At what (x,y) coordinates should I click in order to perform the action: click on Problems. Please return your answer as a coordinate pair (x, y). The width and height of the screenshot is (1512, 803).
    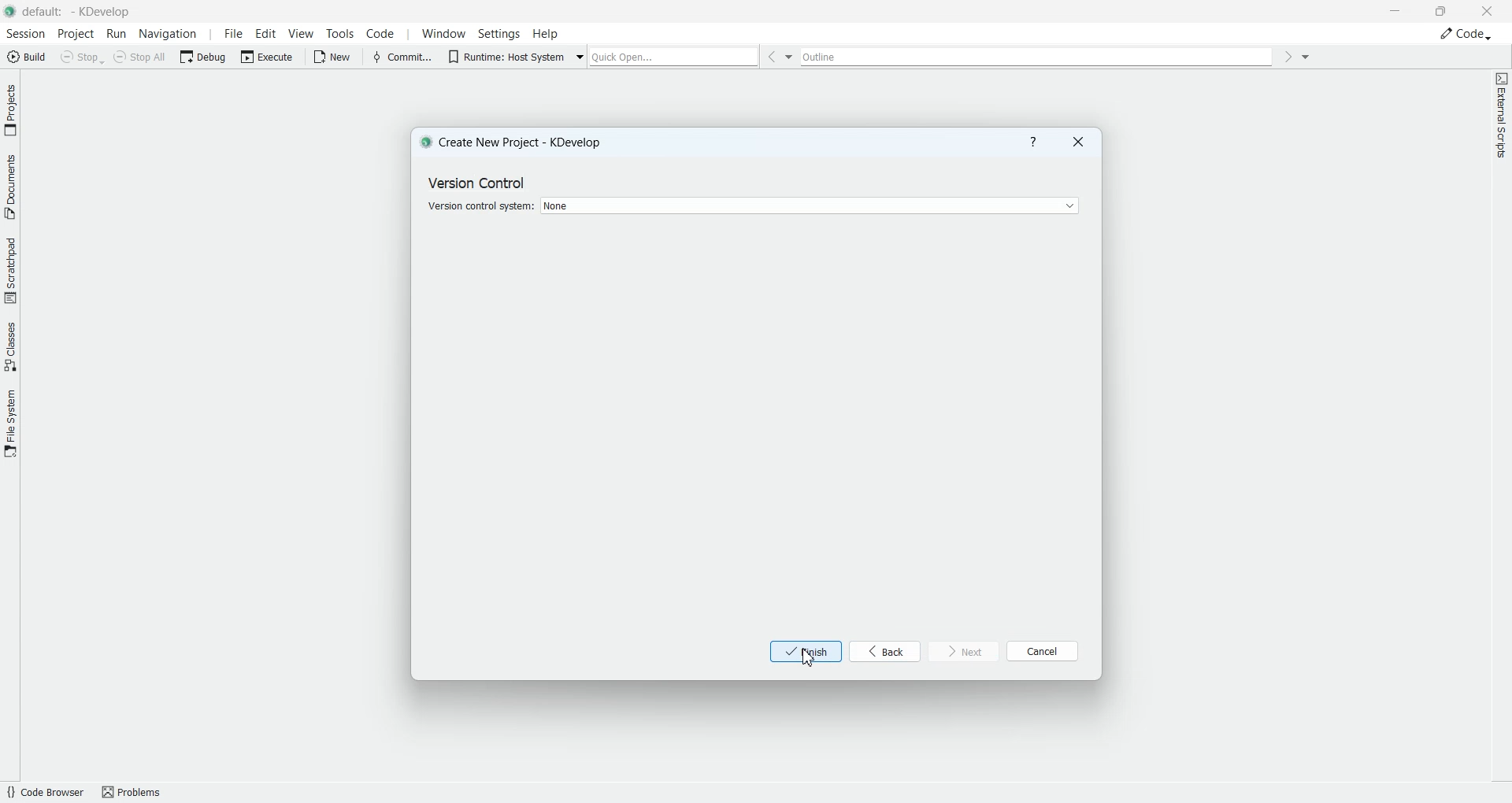
    Looking at the image, I should click on (137, 791).